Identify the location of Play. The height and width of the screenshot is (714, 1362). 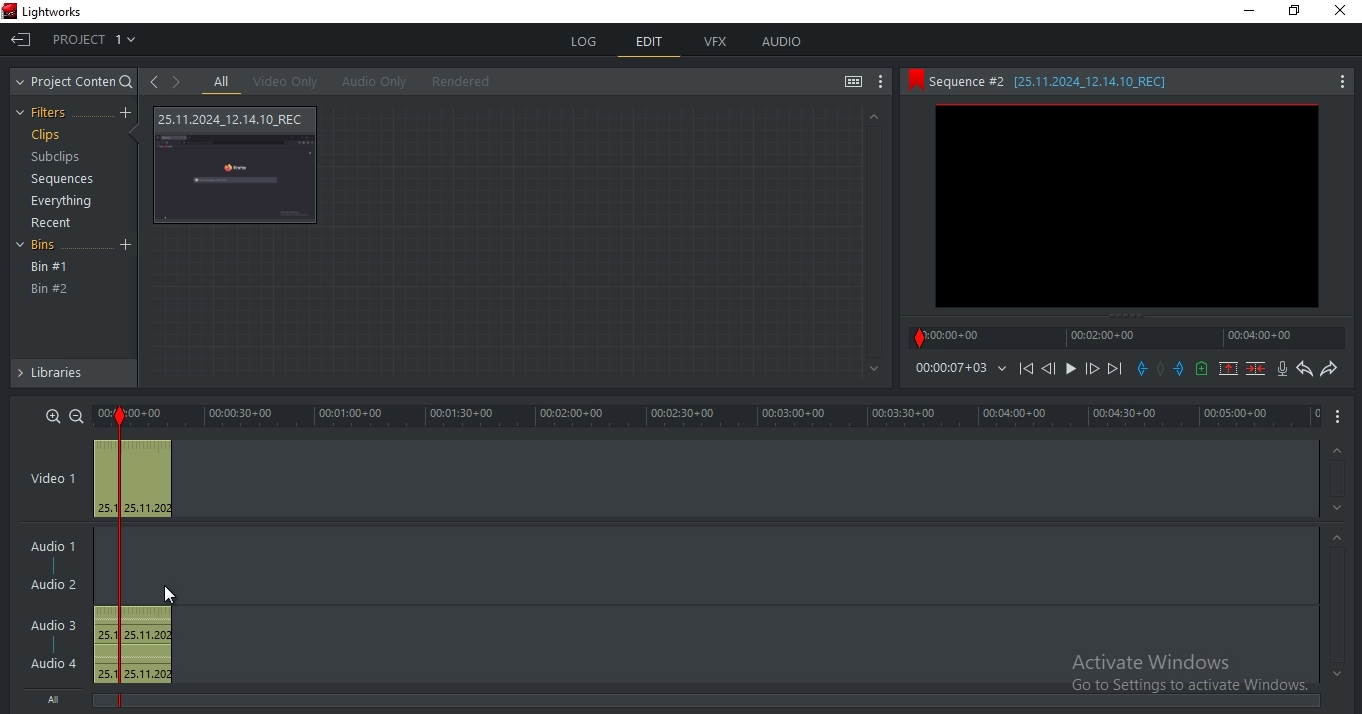
(1071, 368).